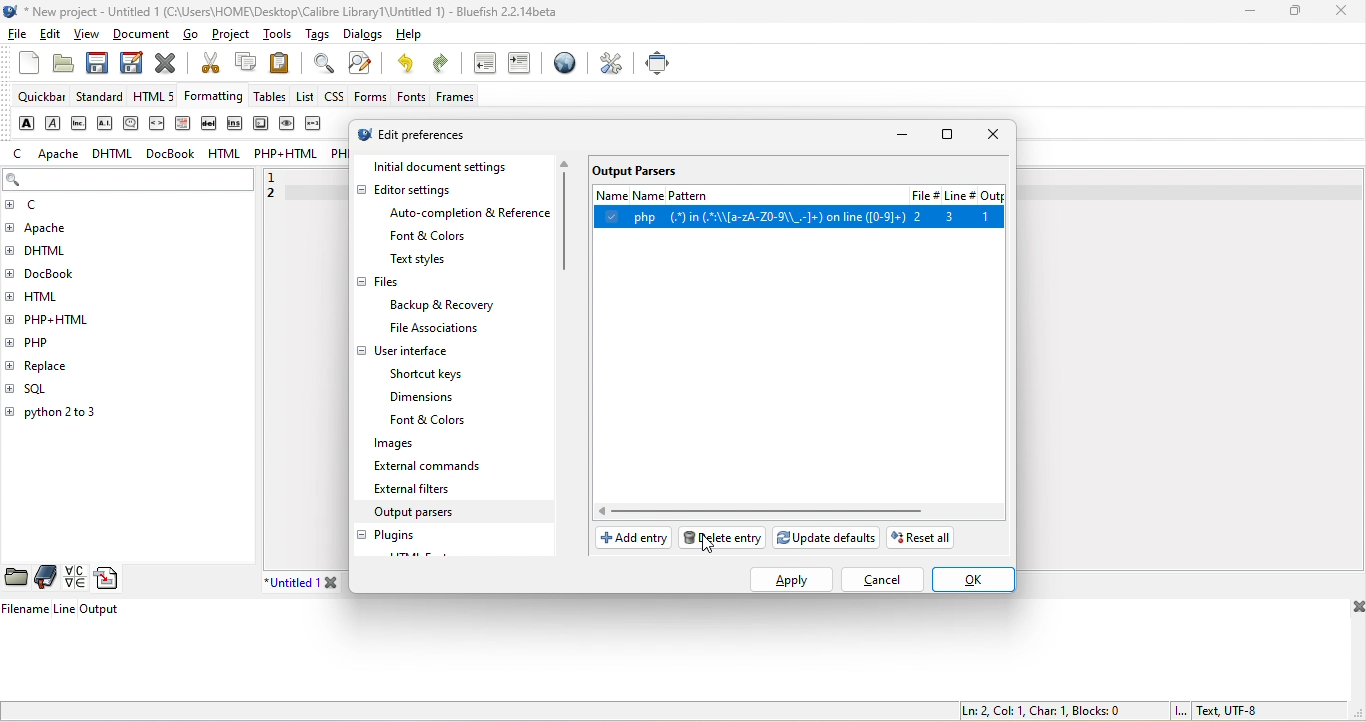 The image size is (1366, 722). Describe the element at coordinates (1039, 710) in the screenshot. I see `ln 2, col 1, char 1, blocks 0` at that location.